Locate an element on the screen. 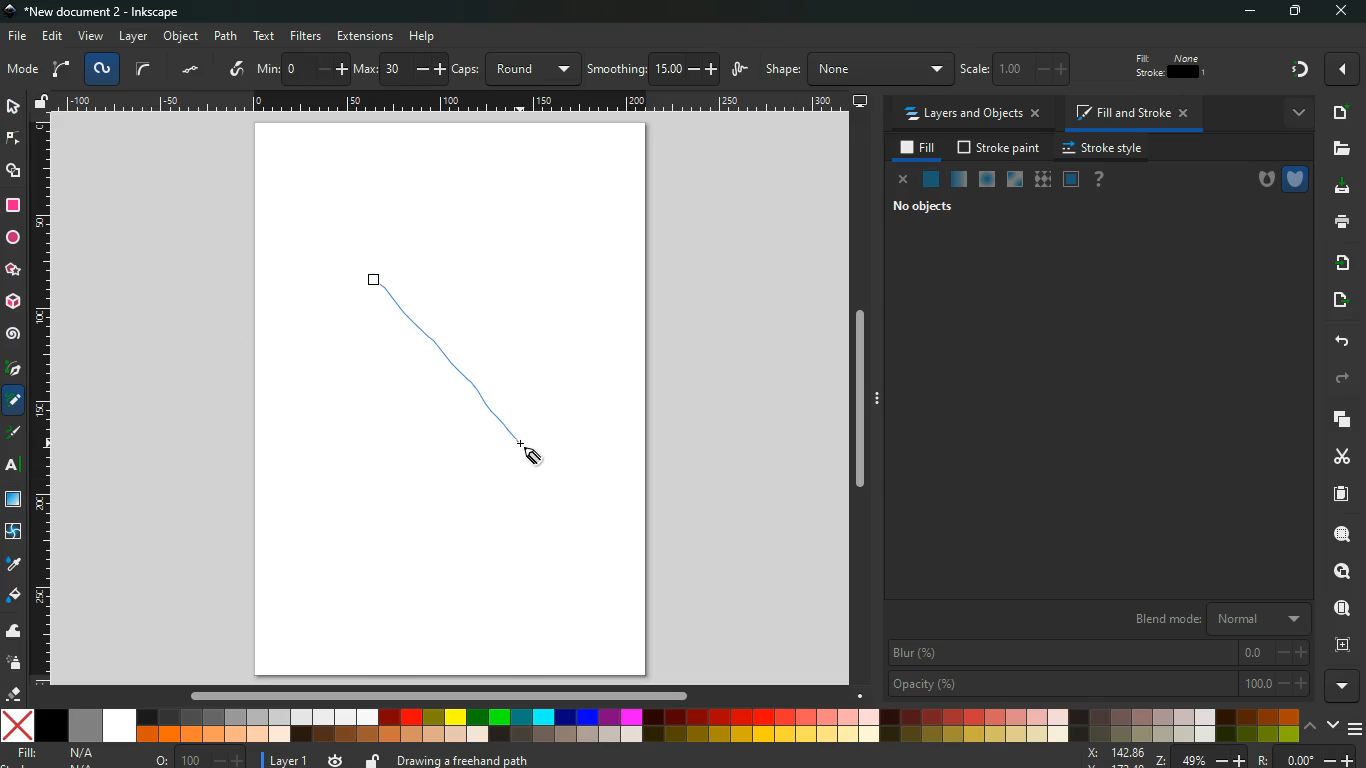 The image size is (1366, 768). layers and objects is located at coordinates (972, 114).